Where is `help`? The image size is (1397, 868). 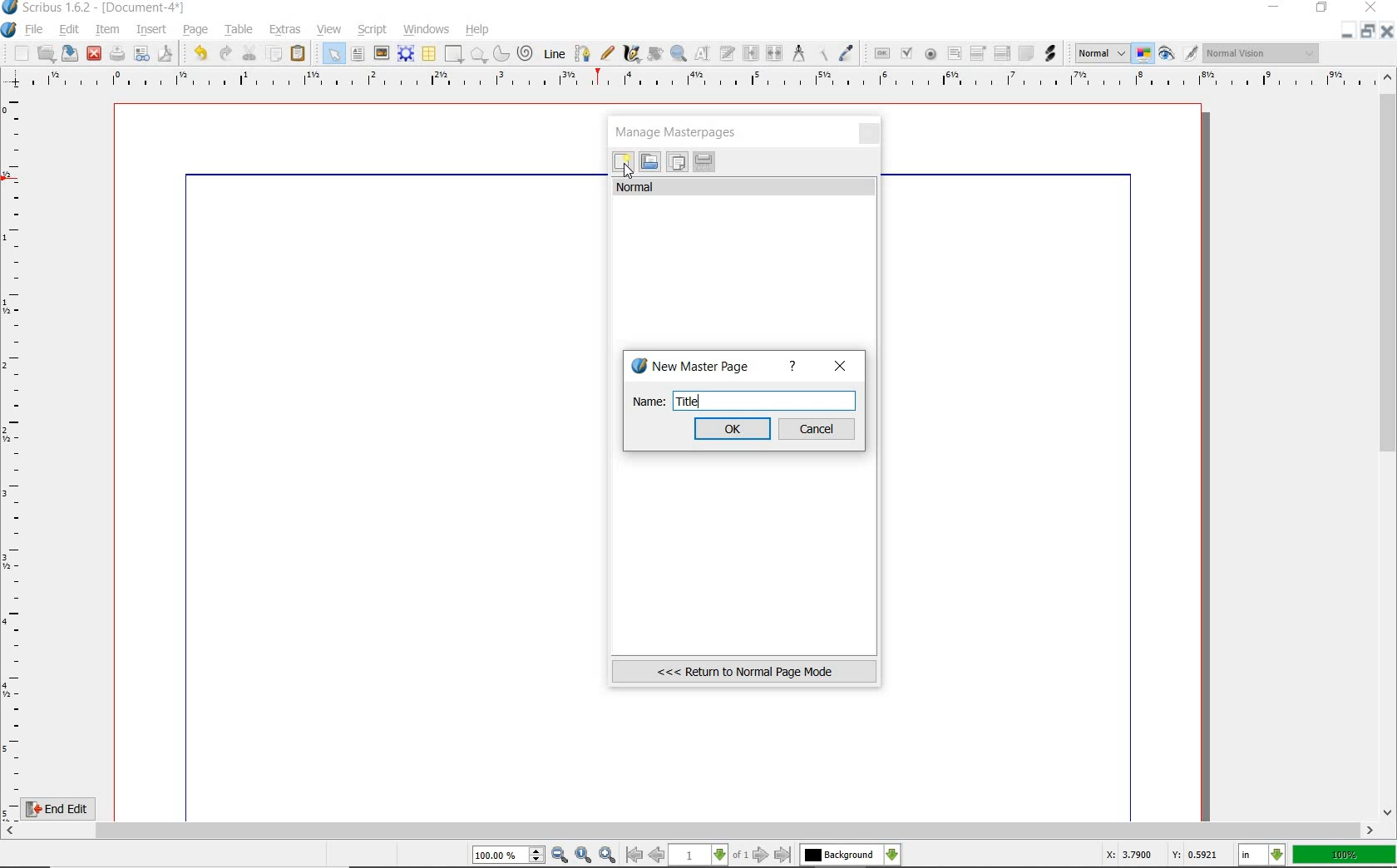
help is located at coordinates (478, 30).